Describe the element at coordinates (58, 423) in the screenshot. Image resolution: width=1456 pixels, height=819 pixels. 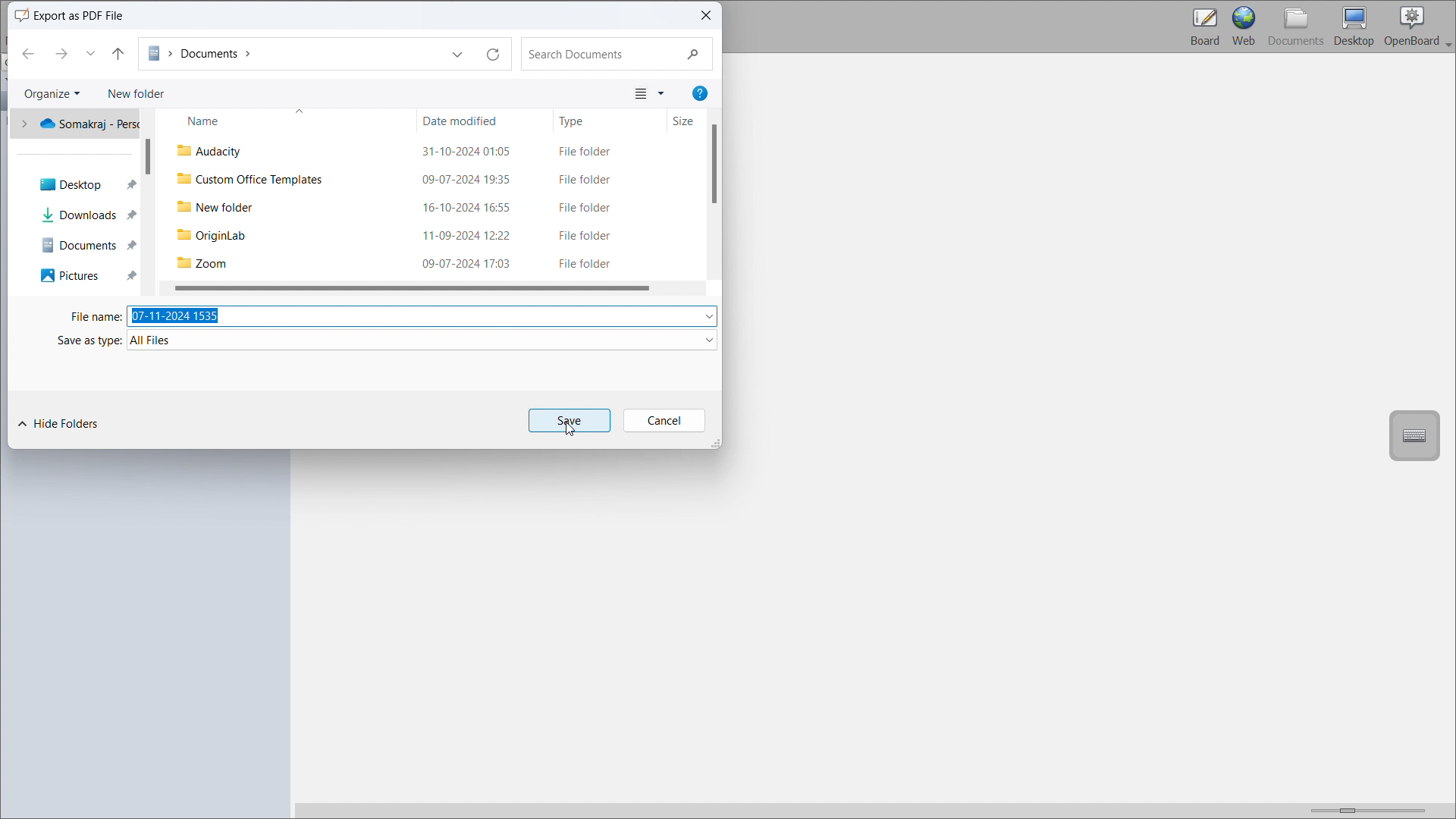
I see `hide folders` at that location.